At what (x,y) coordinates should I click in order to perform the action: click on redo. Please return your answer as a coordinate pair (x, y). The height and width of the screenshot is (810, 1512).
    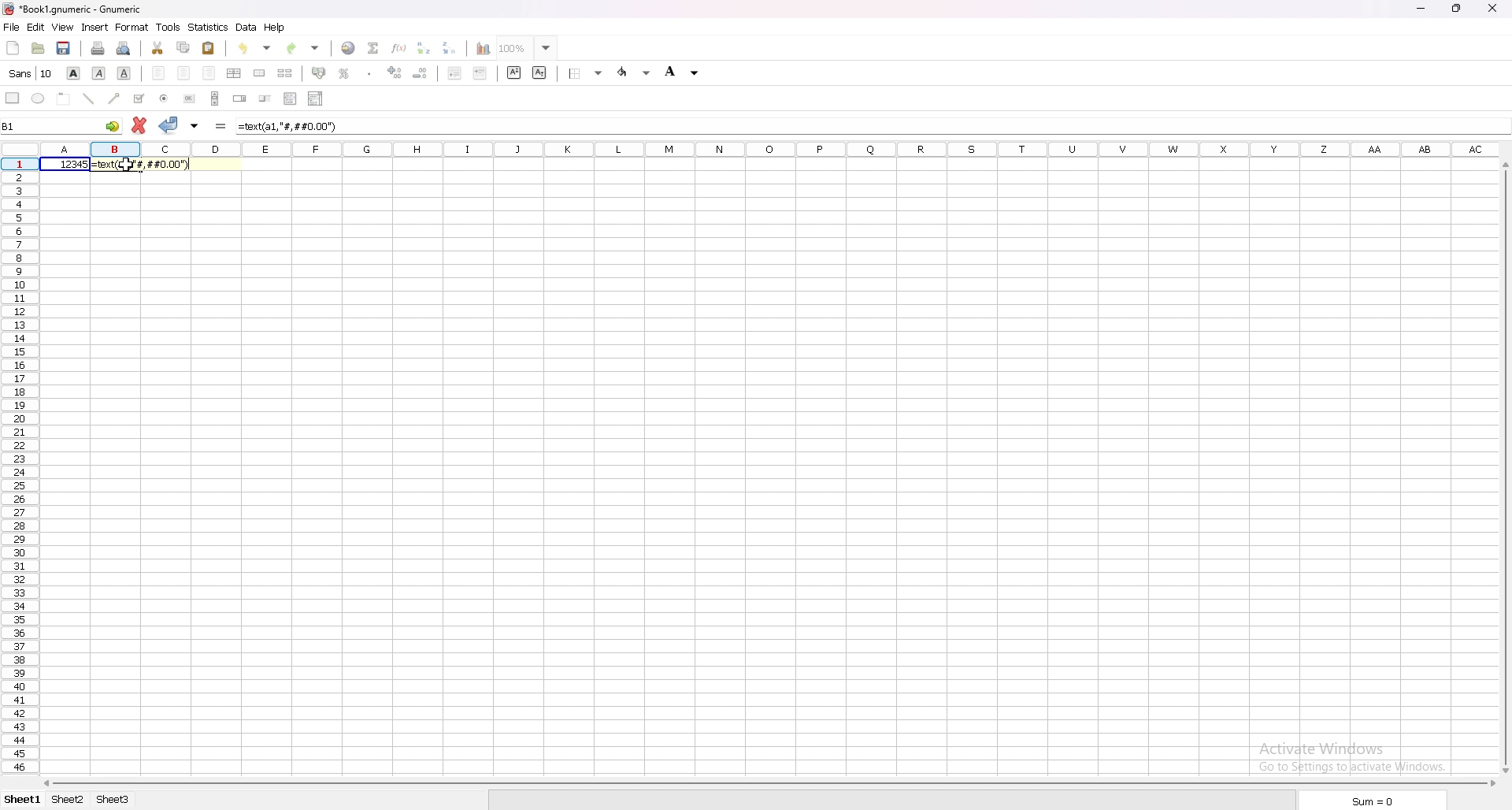
    Looking at the image, I should click on (303, 48).